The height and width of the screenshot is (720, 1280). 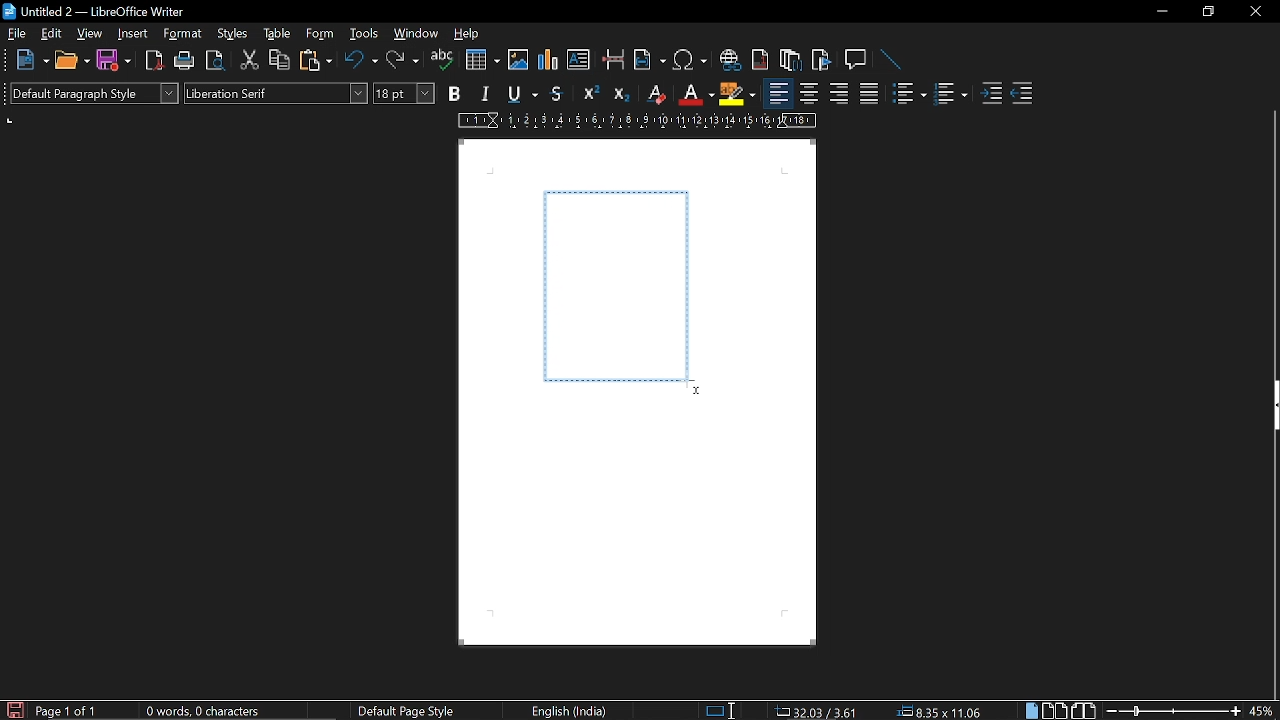 What do you see at coordinates (822, 60) in the screenshot?
I see `insert bookmark` at bounding box center [822, 60].